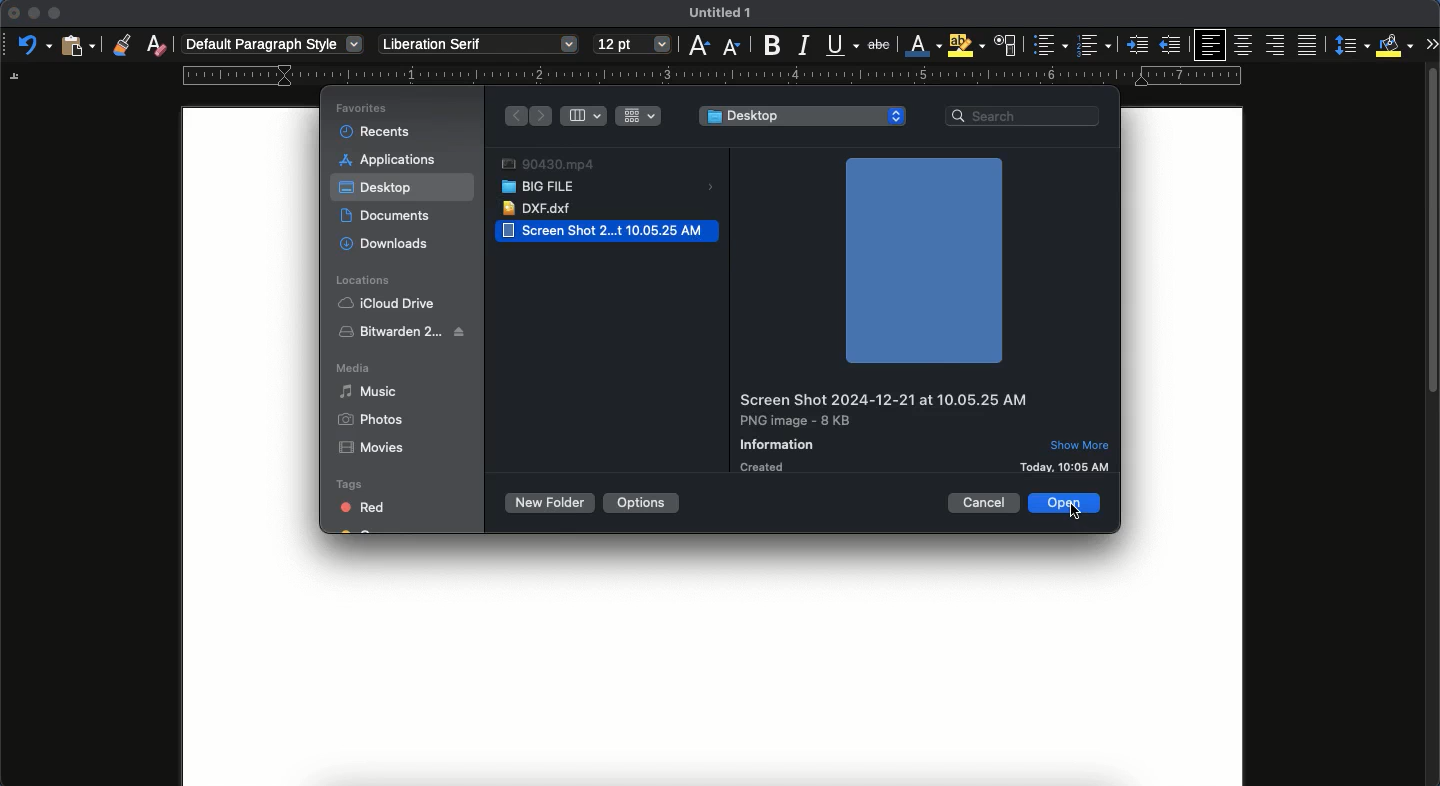 This screenshot has width=1440, height=786. What do you see at coordinates (77, 47) in the screenshot?
I see `paste` at bounding box center [77, 47].